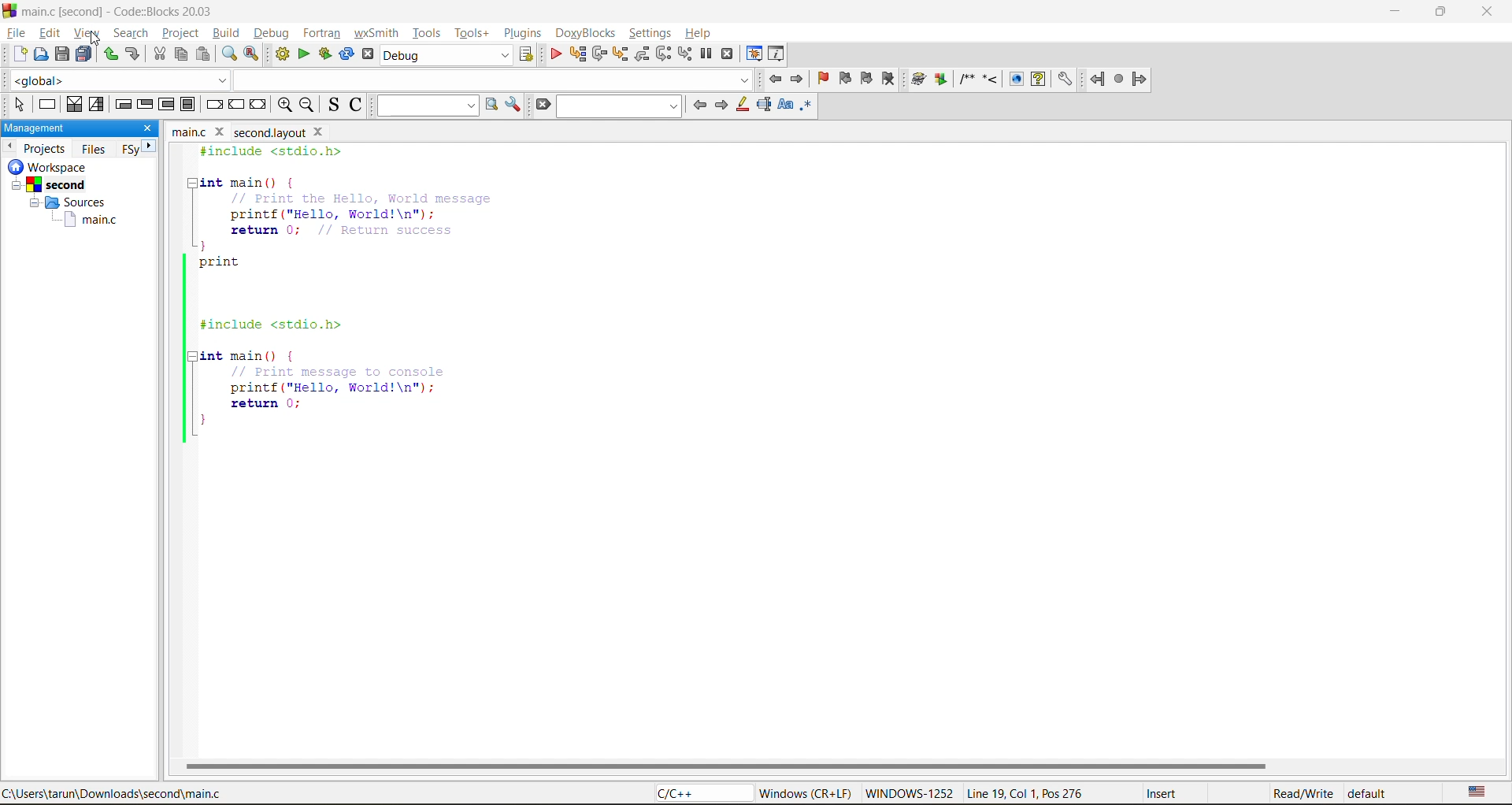 The image size is (1512, 805). I want to click on undo, so click(109, 54).